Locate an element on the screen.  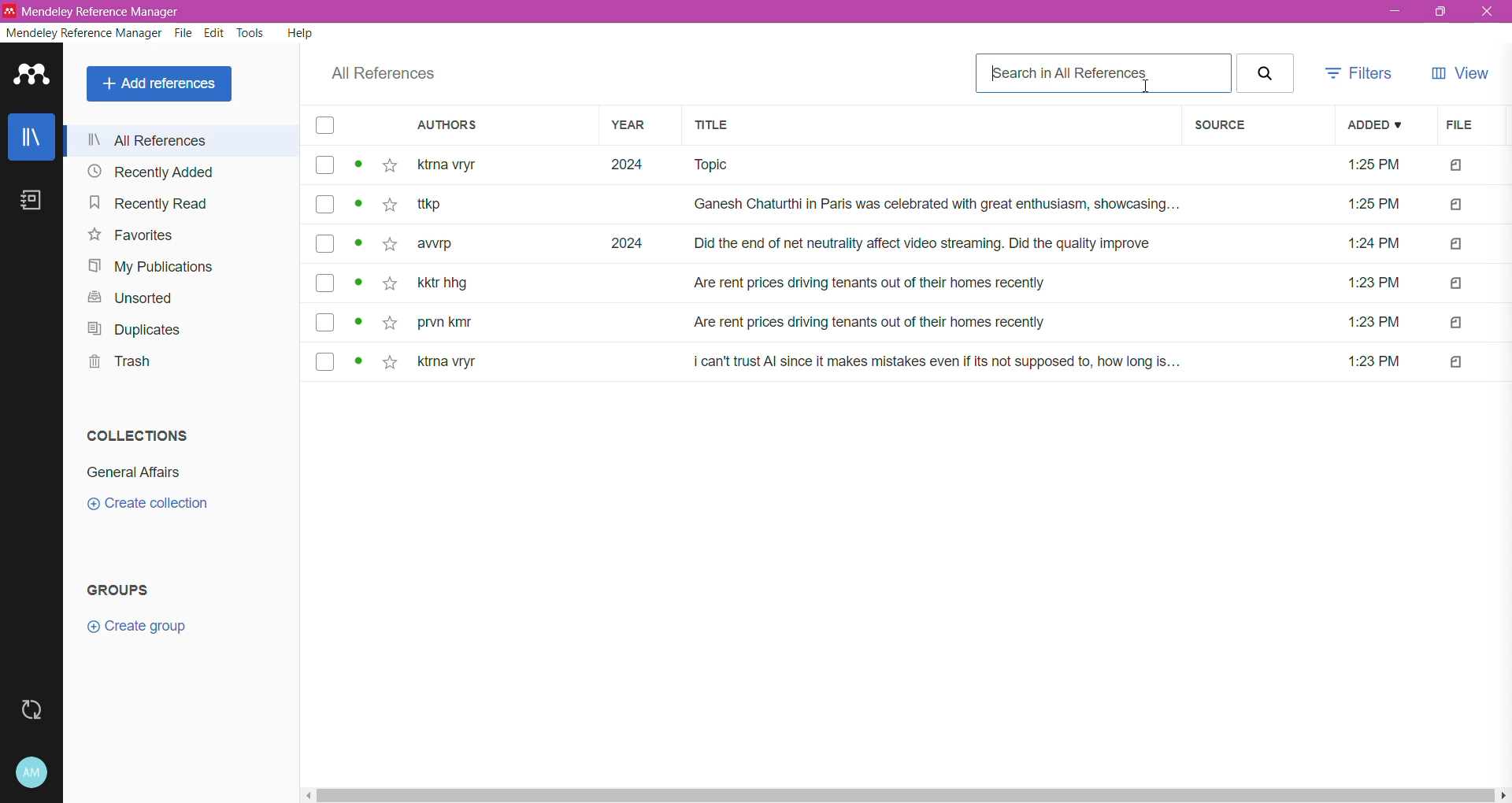
Collection Name is located at coordinates (139, 472).